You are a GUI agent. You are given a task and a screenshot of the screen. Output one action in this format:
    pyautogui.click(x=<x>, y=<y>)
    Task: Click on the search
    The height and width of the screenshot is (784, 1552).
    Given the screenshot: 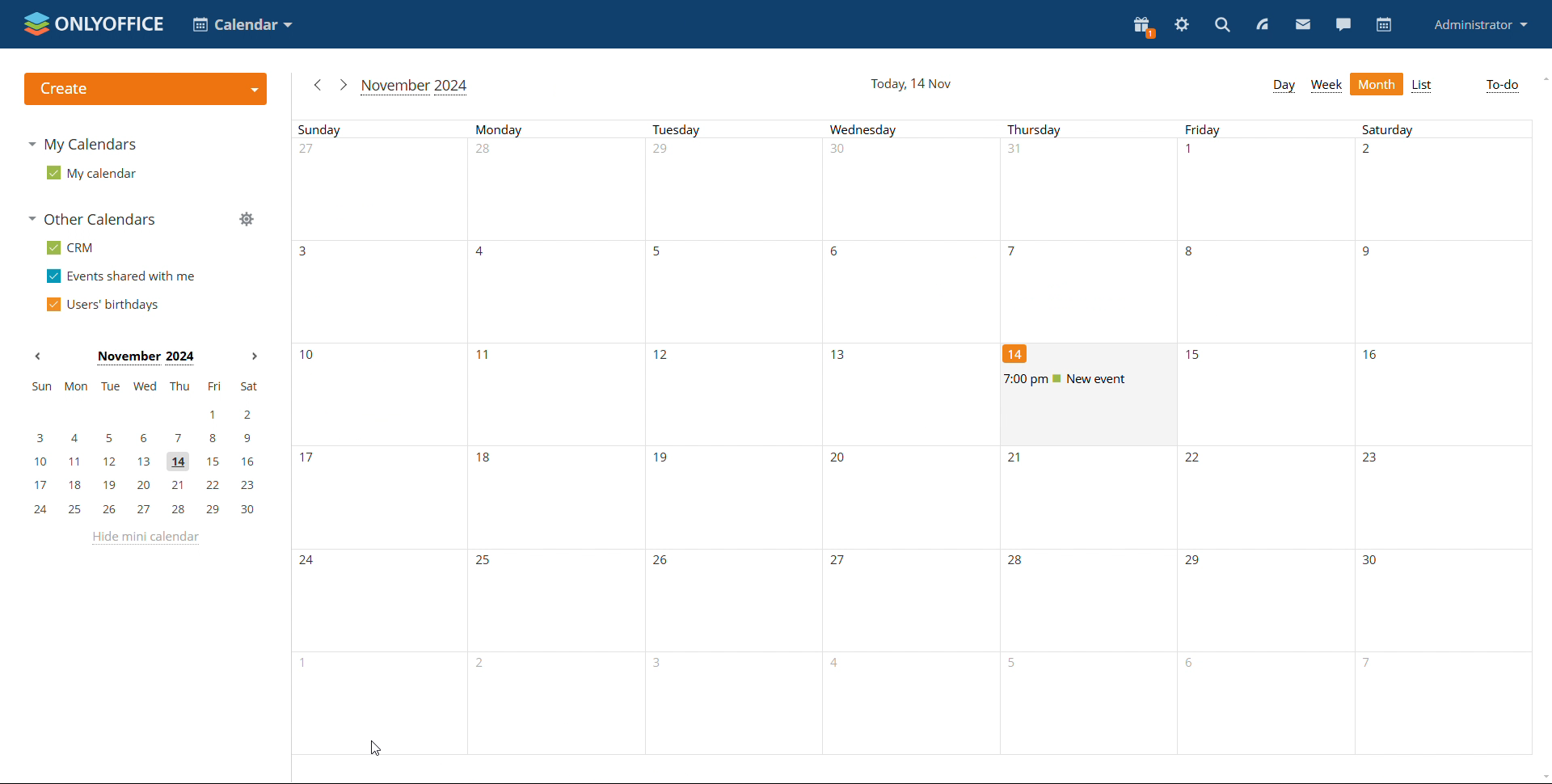 What is the action you would take?
    pyautogui.click(x=1221, y=25)
    